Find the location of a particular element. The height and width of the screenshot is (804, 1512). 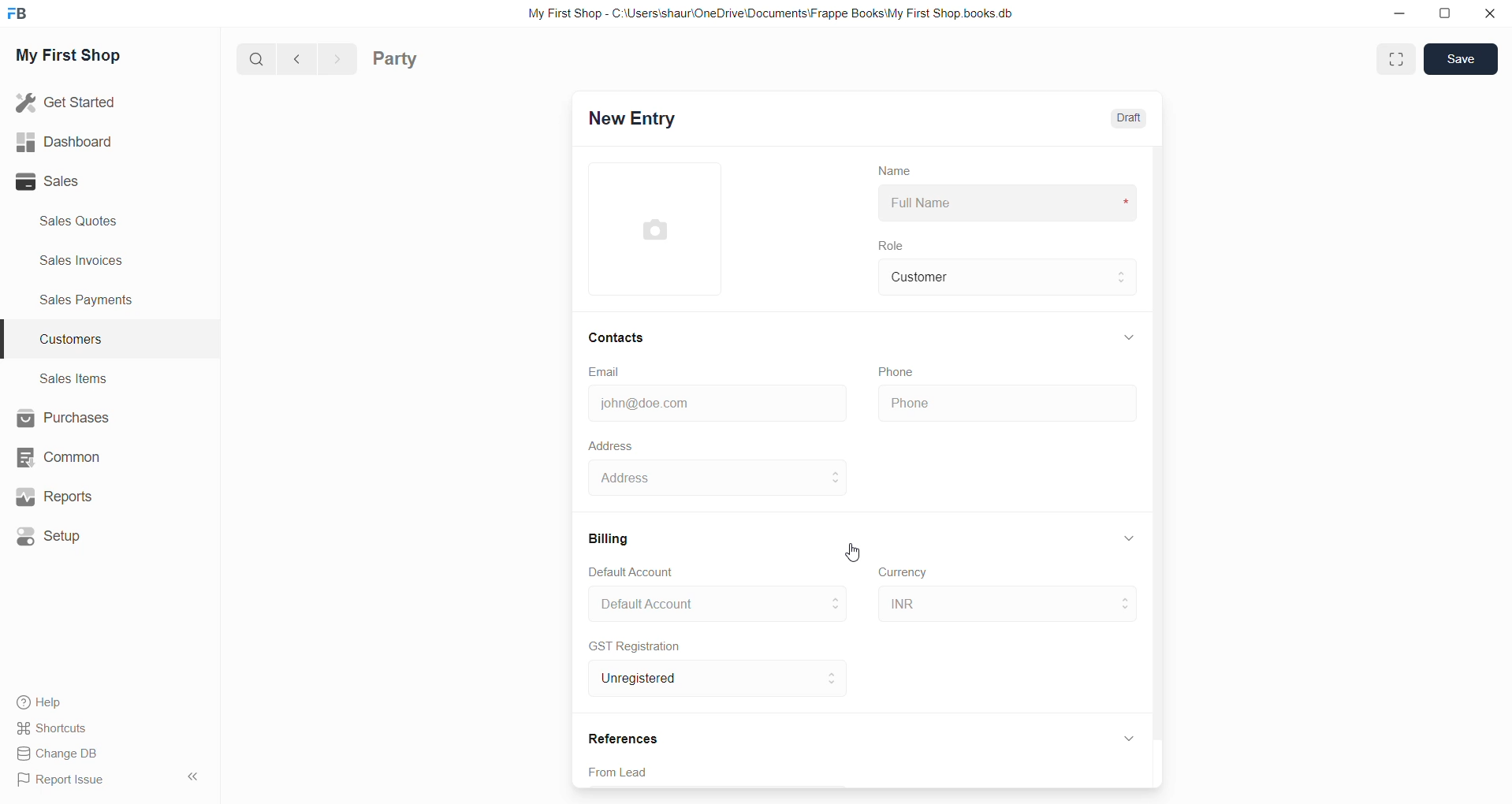

sales invoices  is located at coordinates (80, 262).